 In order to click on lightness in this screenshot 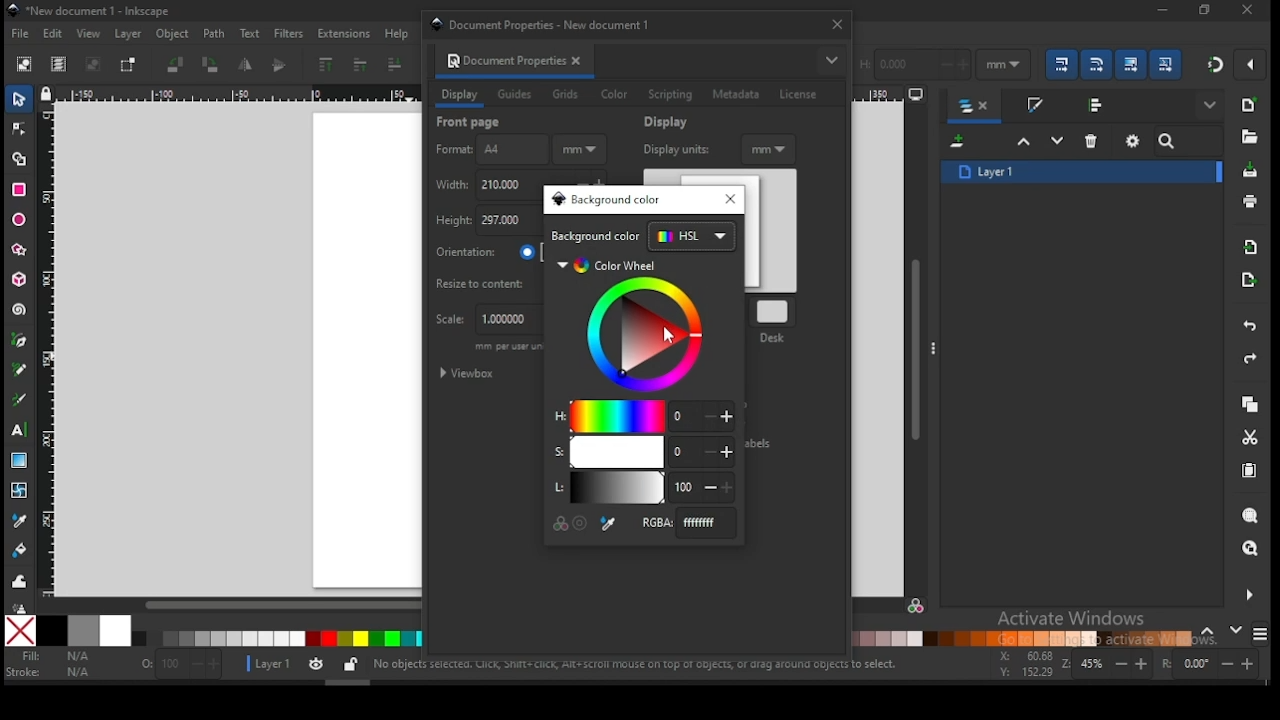, I will do `click(642, 488)`.